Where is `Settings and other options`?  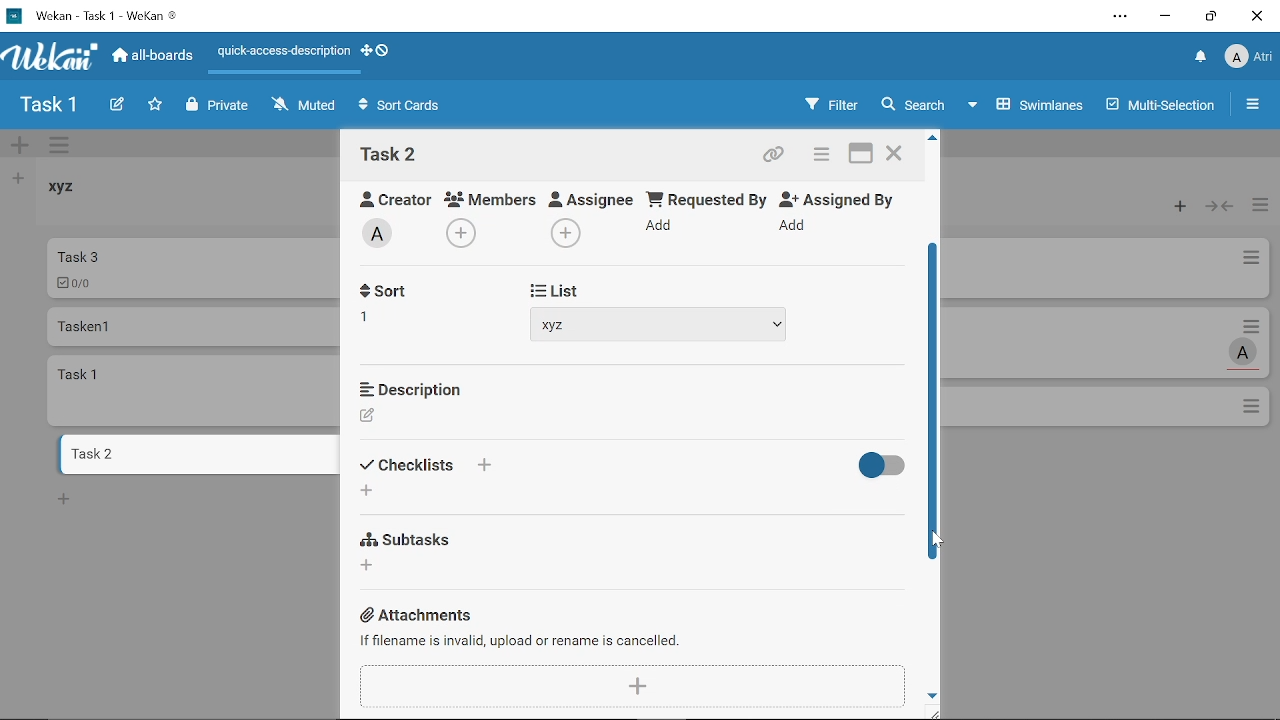 Settings and other options is located at coordinates (1122, 18).